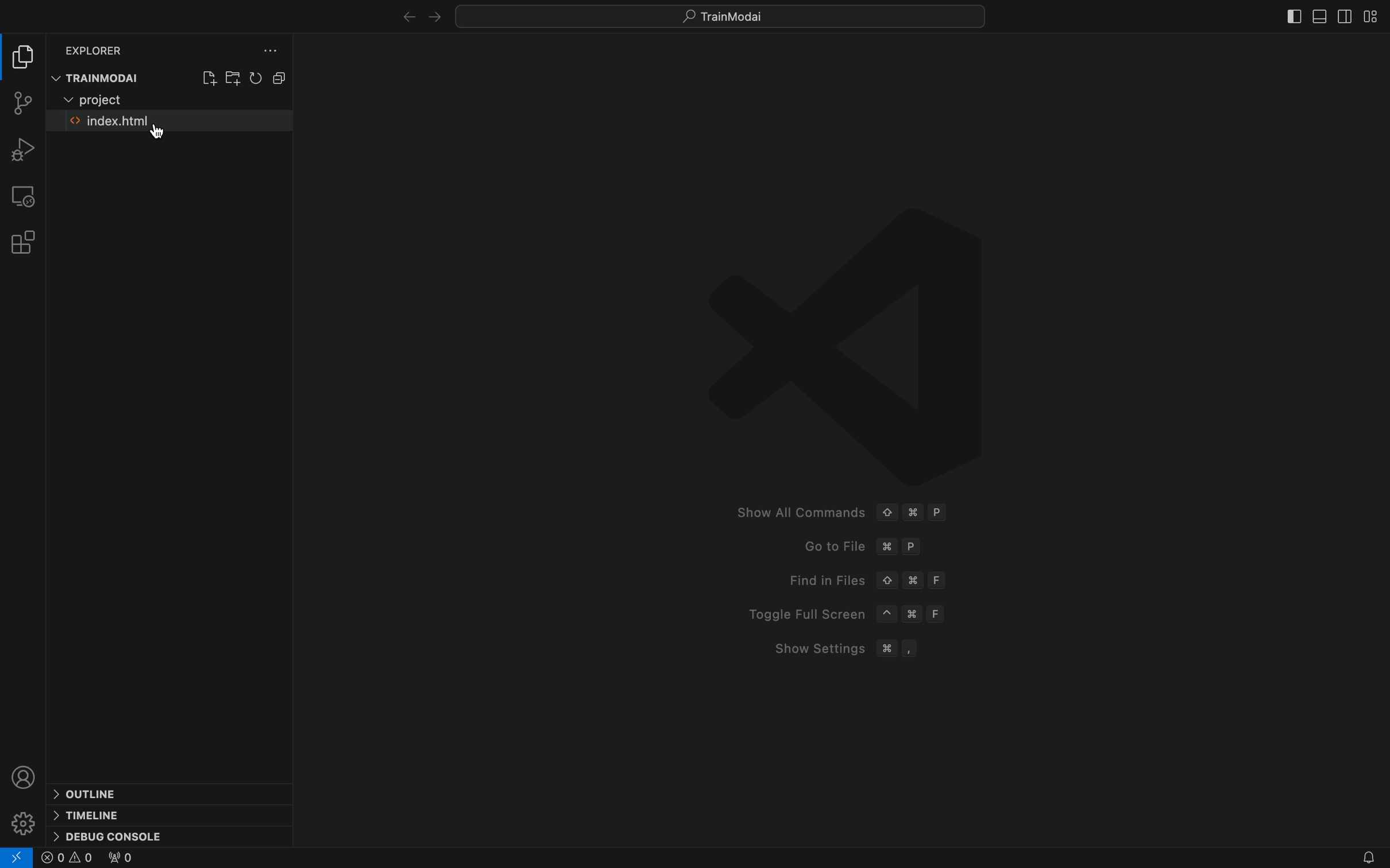 This screenshot has height=868, width=1390. What do you see at coordinates (105, 77) in the screenshot?
I see `trainmodal` at bounding box center [105, 77].